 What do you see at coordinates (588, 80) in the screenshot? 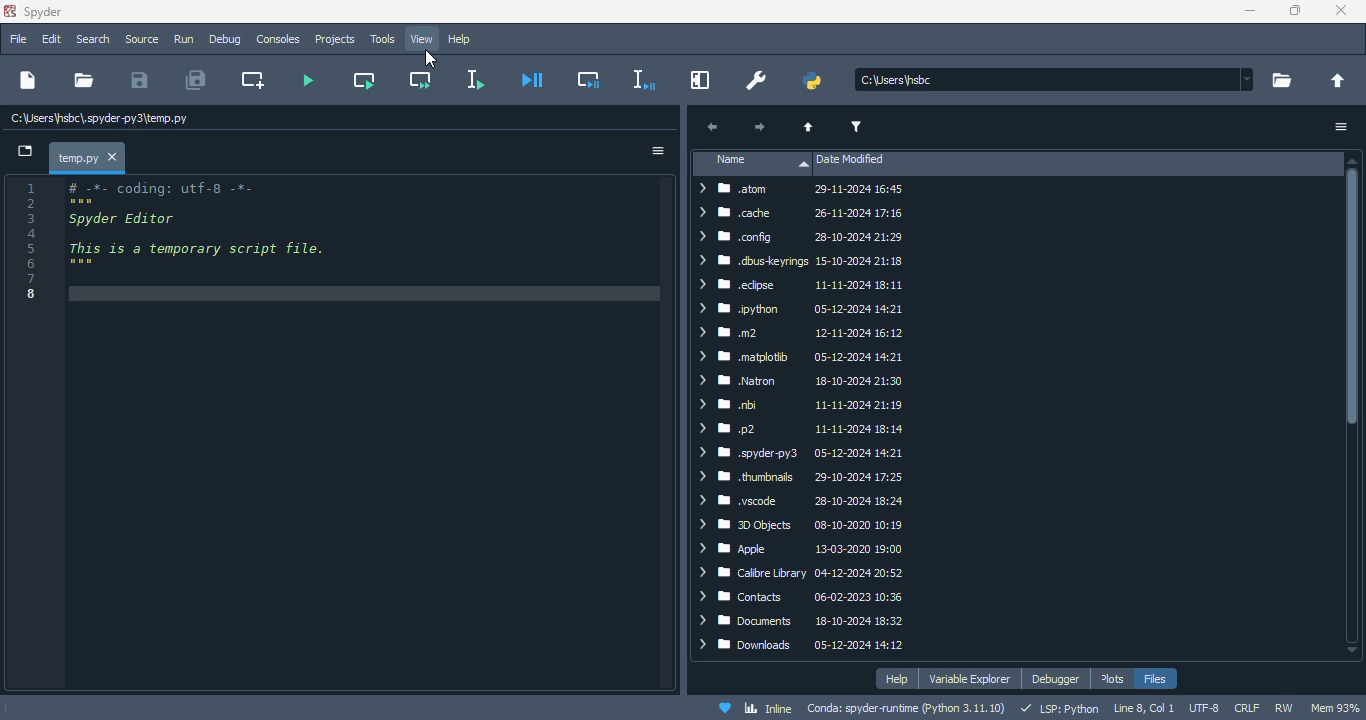
I see `debug cell` at bounding box center [588, 80].